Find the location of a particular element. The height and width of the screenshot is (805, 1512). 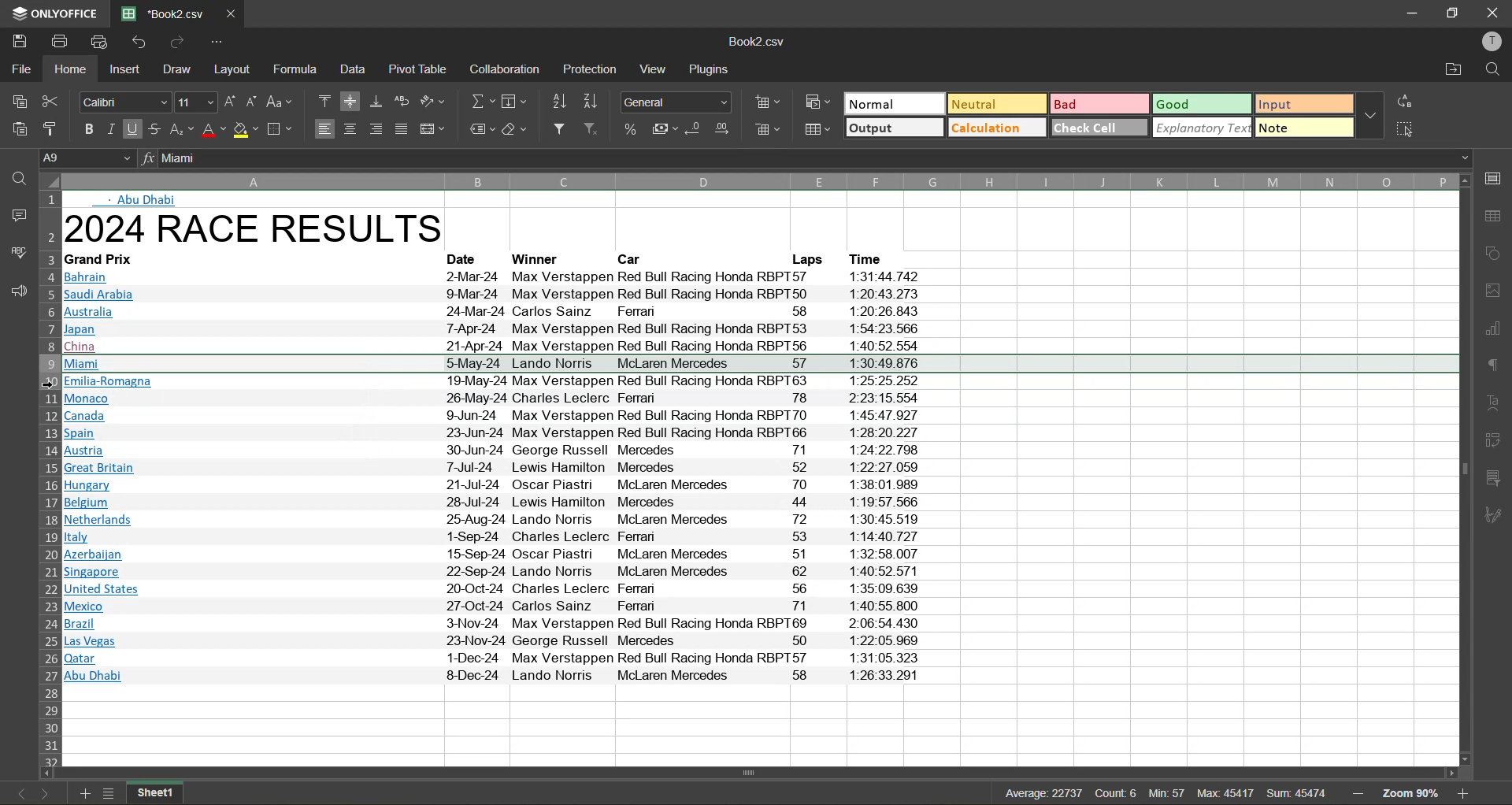

Time is located at coordinates (871, 258).